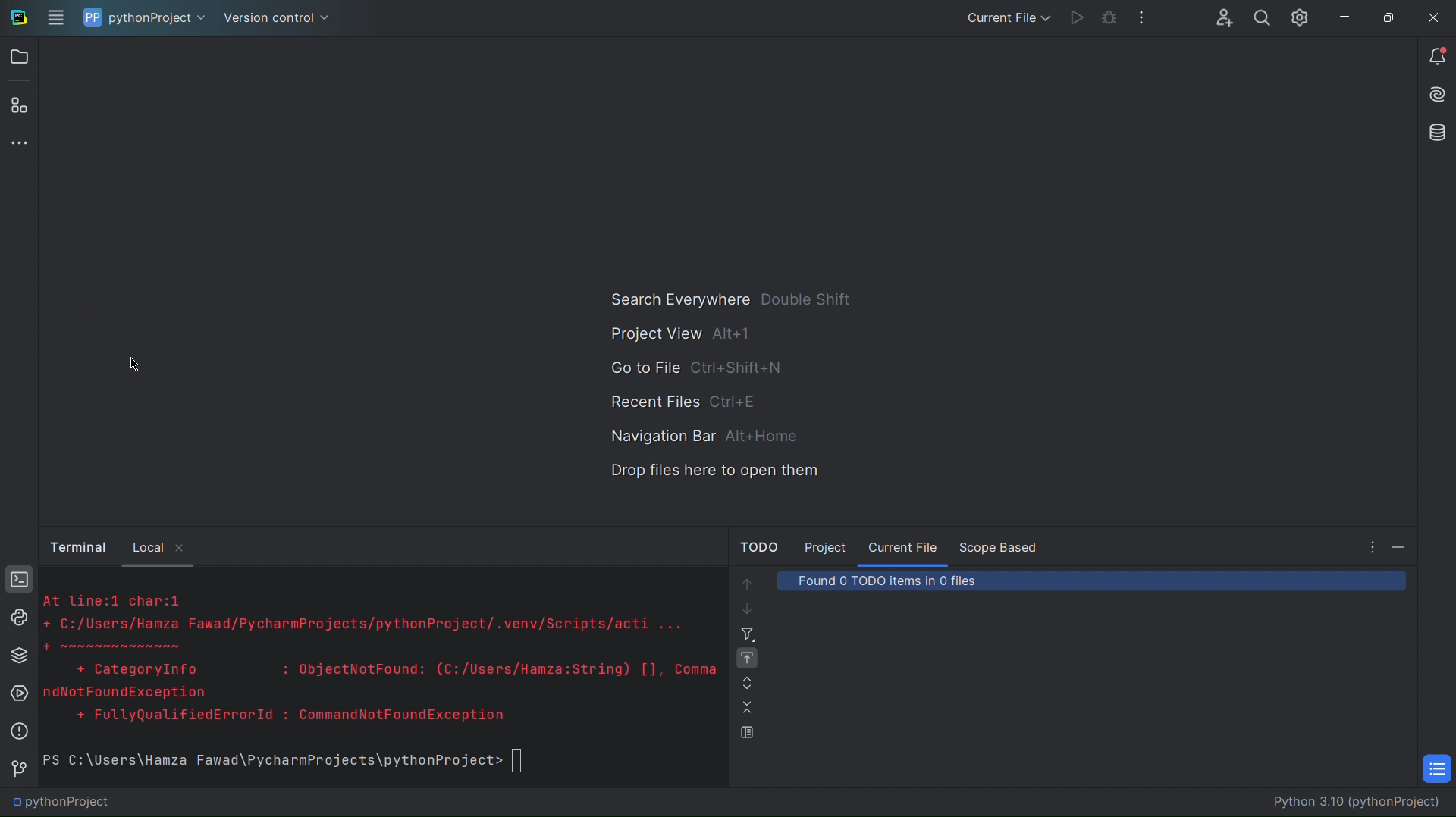  What do you see at coordinates (135, 362) in the screenshot?
I see `Cursor` at bounding box center [135, 362].